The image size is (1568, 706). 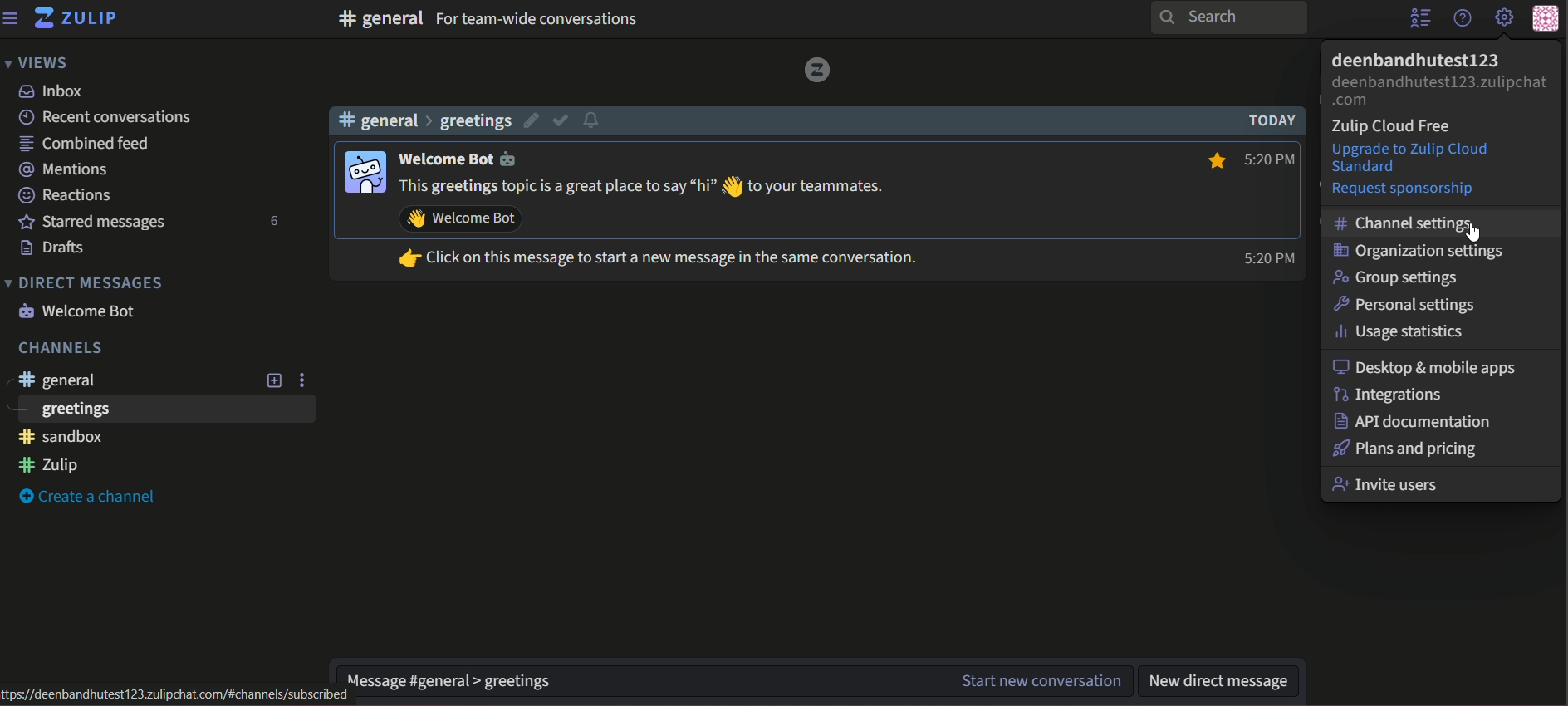 What do you see at coordinates (1416, 60) in the screenshot?
I see `user name` at bounding box center [1416, 60].